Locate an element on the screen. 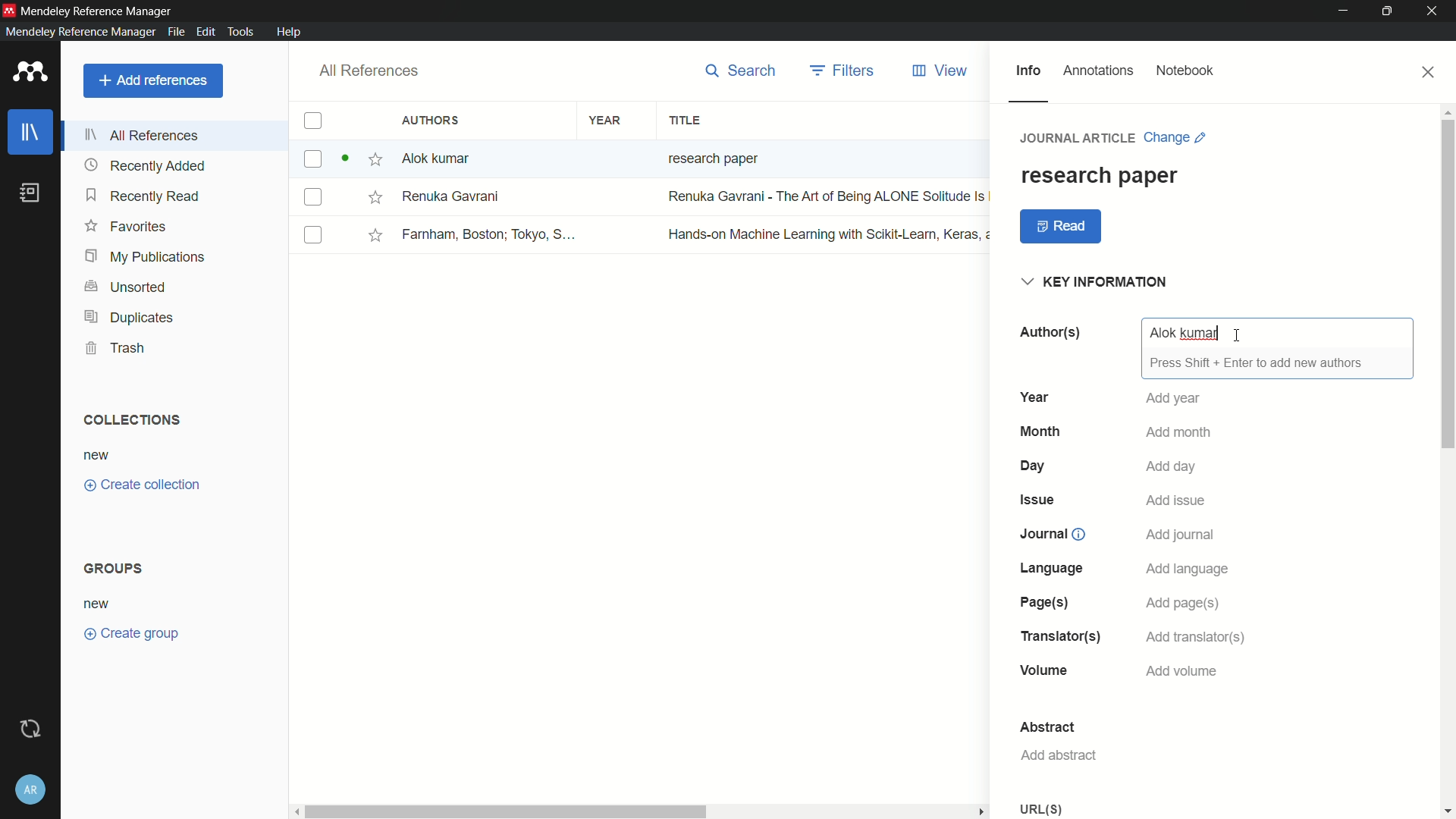 Image resolution: width=1456 pixels, height=819 pixels. new is located at coordinates (98, 605).